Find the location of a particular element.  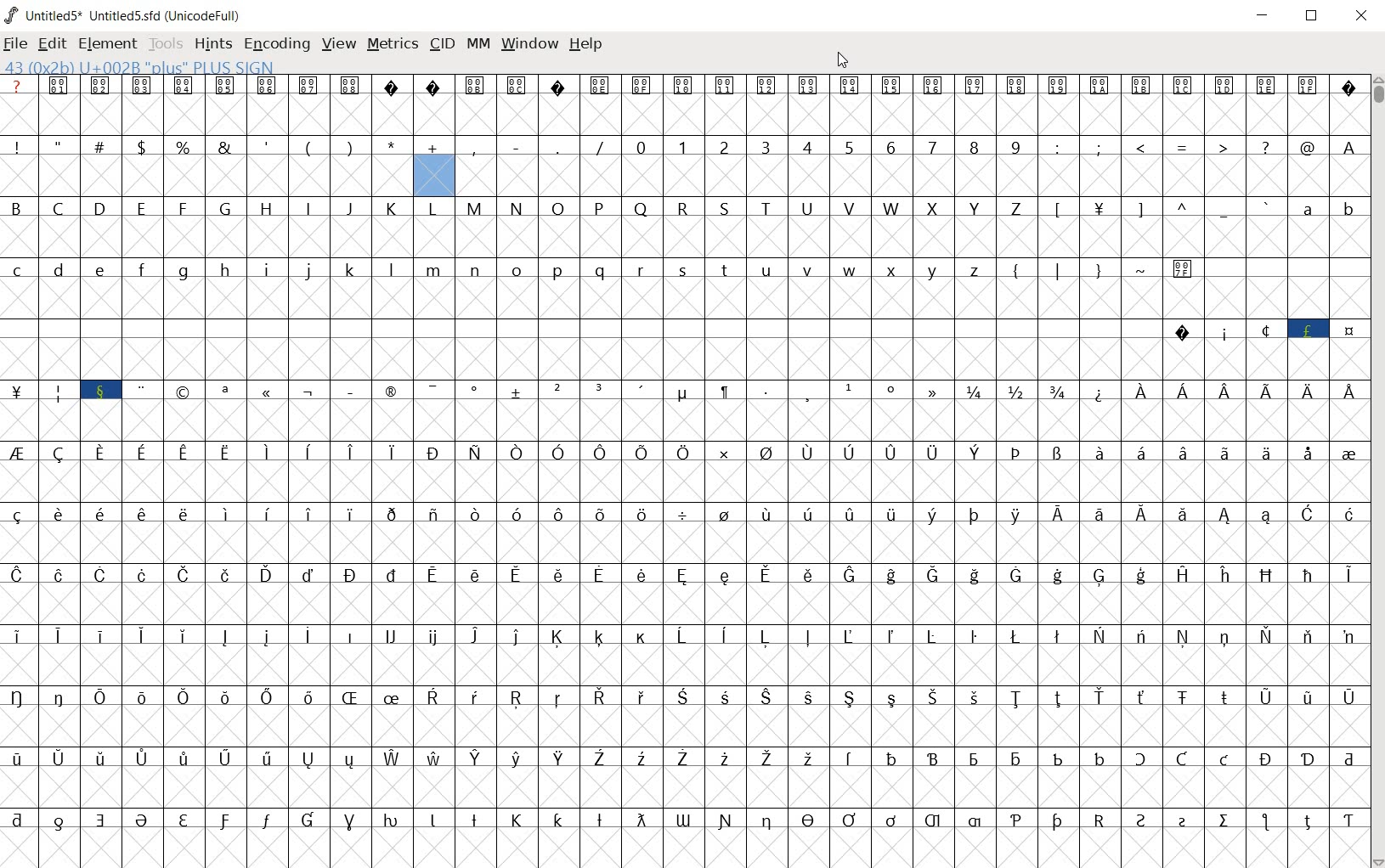

Latin extended characters is located at coordinates (185, 657).